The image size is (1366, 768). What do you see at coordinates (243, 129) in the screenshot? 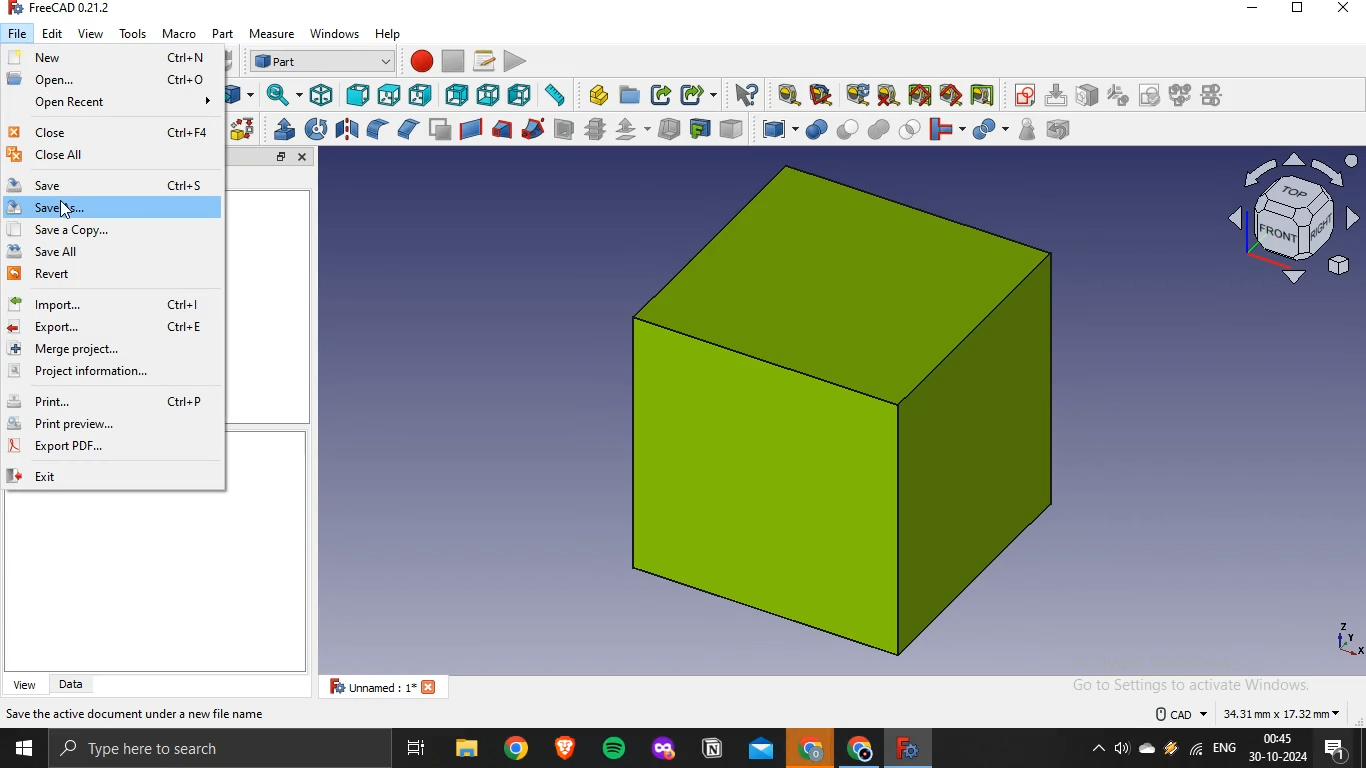
I see `shape builder` at bounding box center [243, 129].